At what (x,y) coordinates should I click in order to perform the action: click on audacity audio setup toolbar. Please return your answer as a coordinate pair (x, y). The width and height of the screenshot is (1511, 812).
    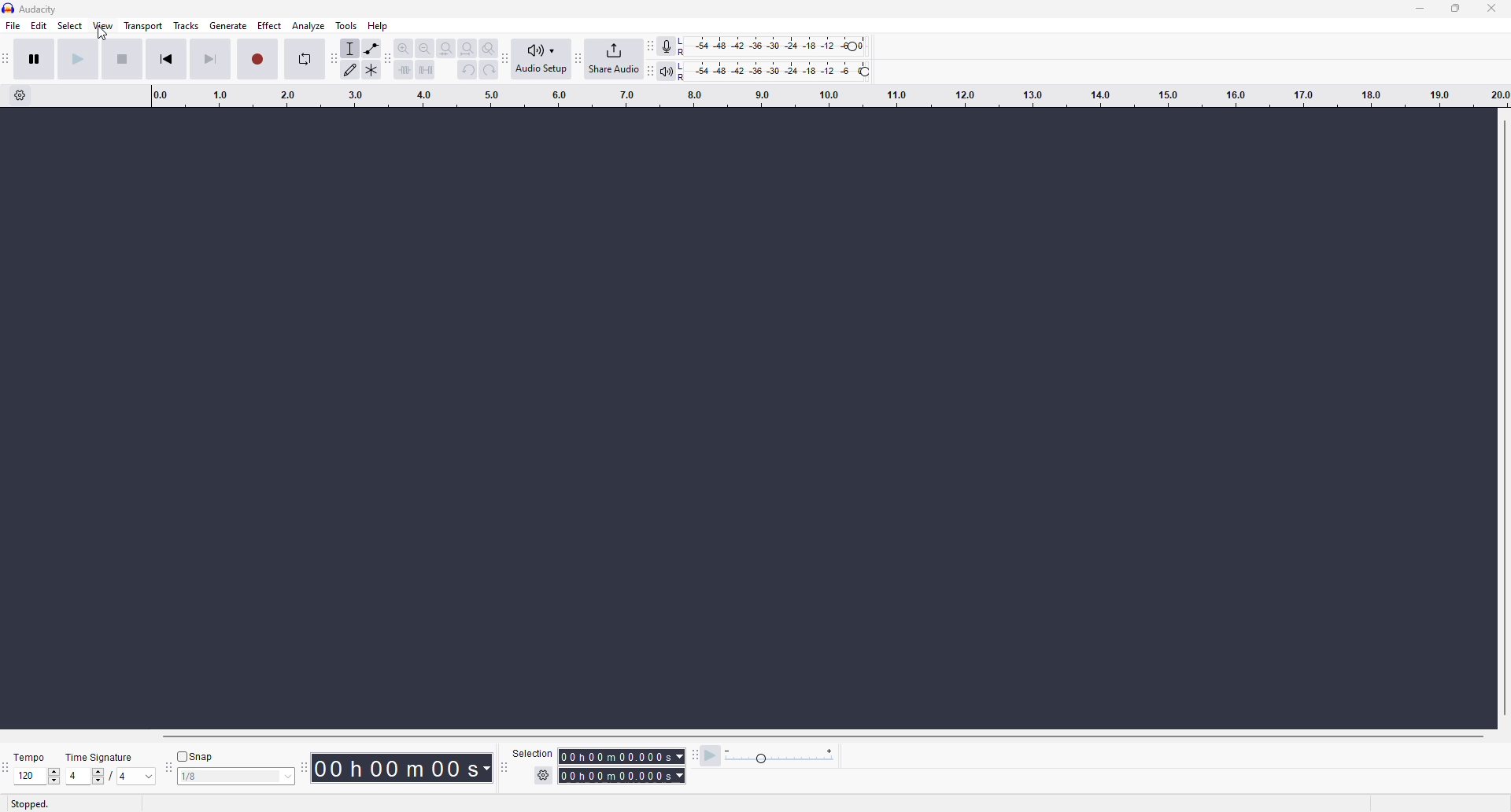
    Looking at the image, I should click on (507, 58).